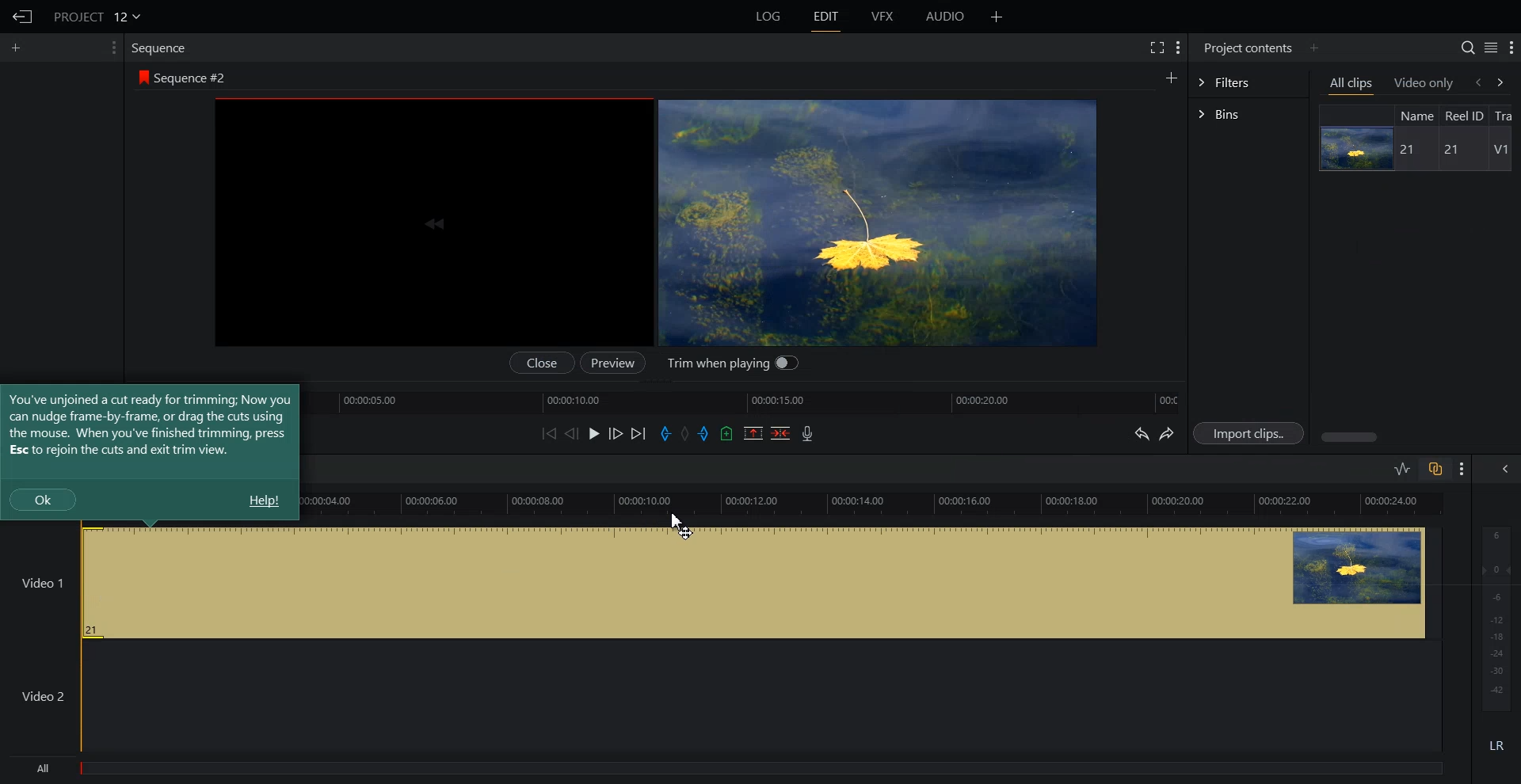 The height and width of the screenshot is (784, 1521). Describe the element at coordinates (1248, 48) in the screenshot. I see `Project contents` at that location.